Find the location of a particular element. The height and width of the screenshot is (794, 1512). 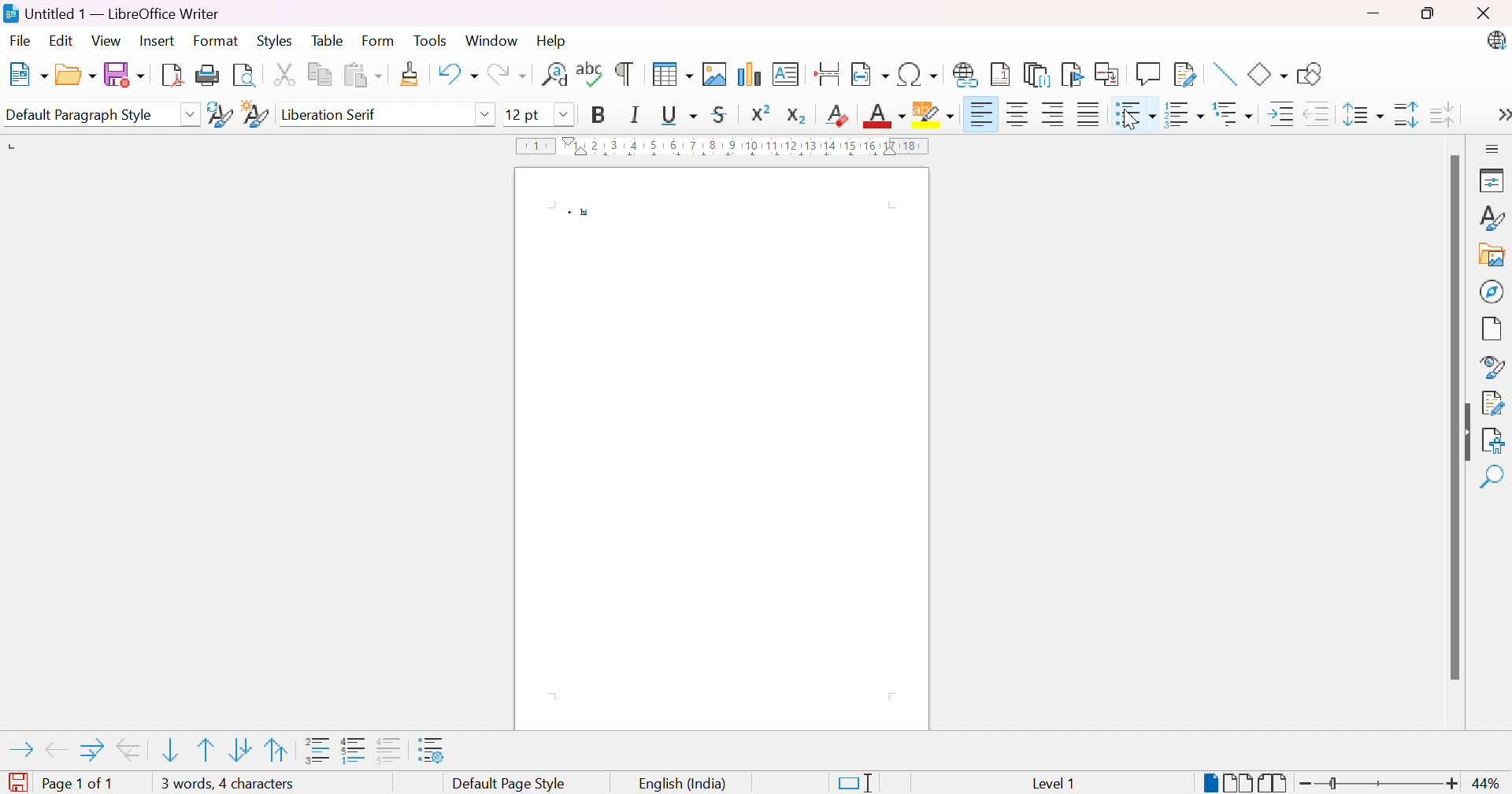

Align left is located at coordinates (1054, 114).